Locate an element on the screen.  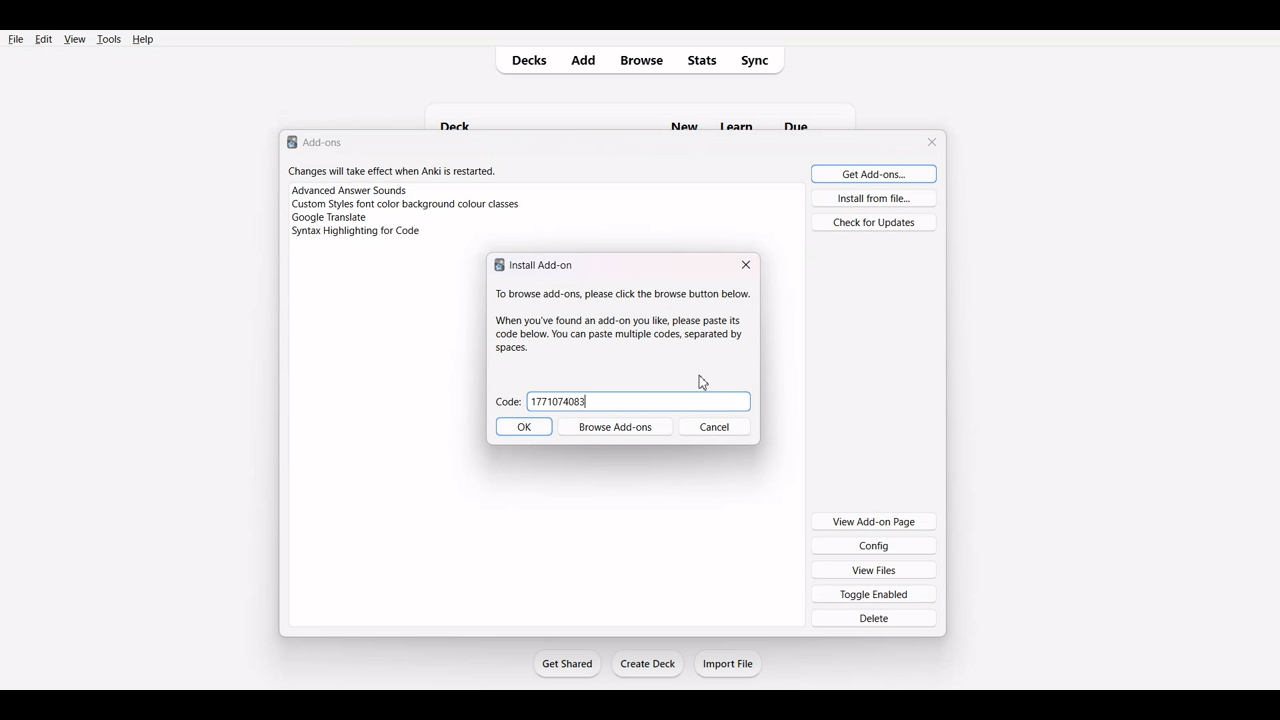
Get Started is located at coordinates (566, 663).